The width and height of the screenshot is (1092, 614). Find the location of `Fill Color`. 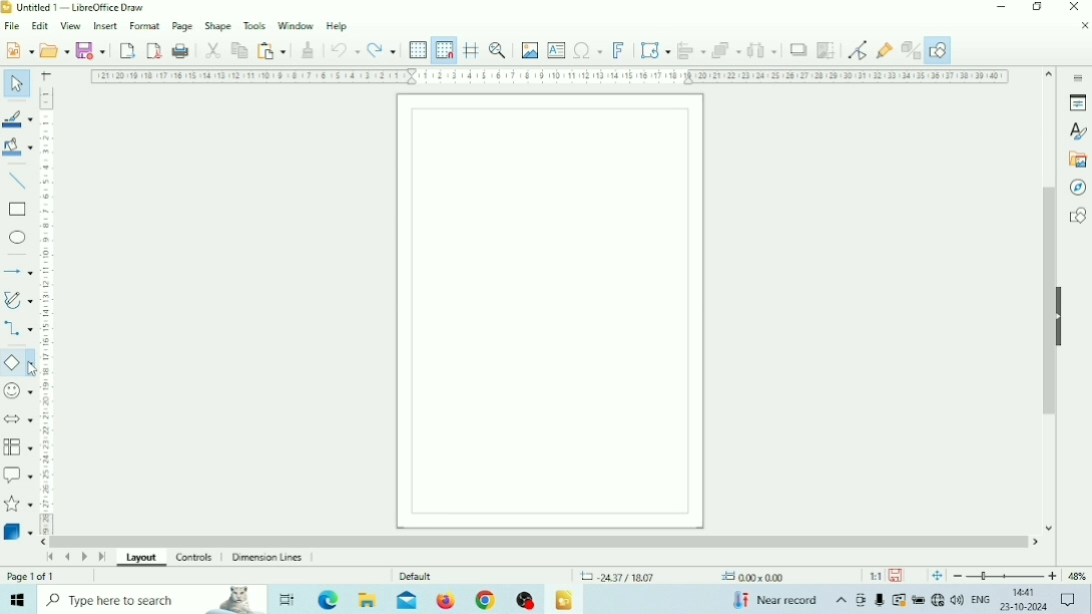

Fill Color is located at coordinates (17, 146).